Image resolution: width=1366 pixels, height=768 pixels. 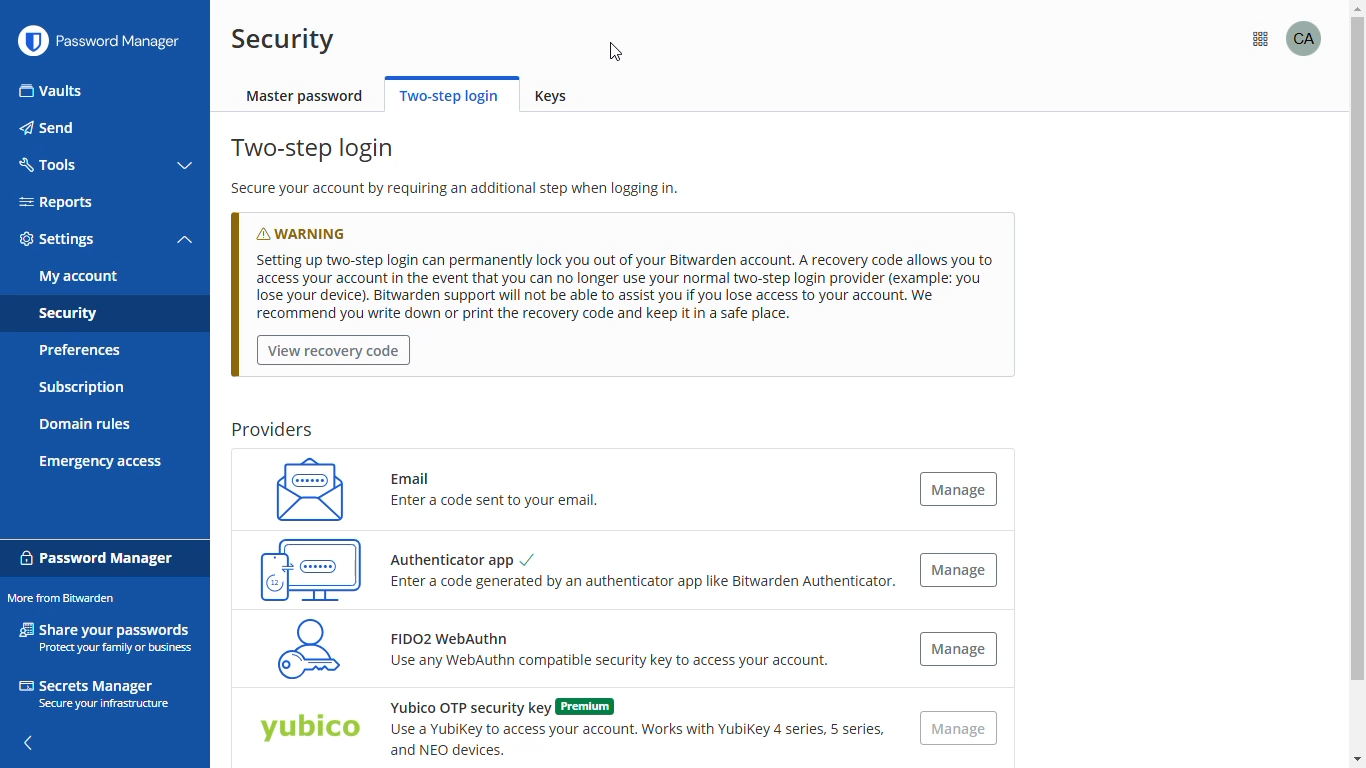 What do you see at coordinates (1321, 38) in the screenshot?
I see `profile` at bounding box center [1321, 38].